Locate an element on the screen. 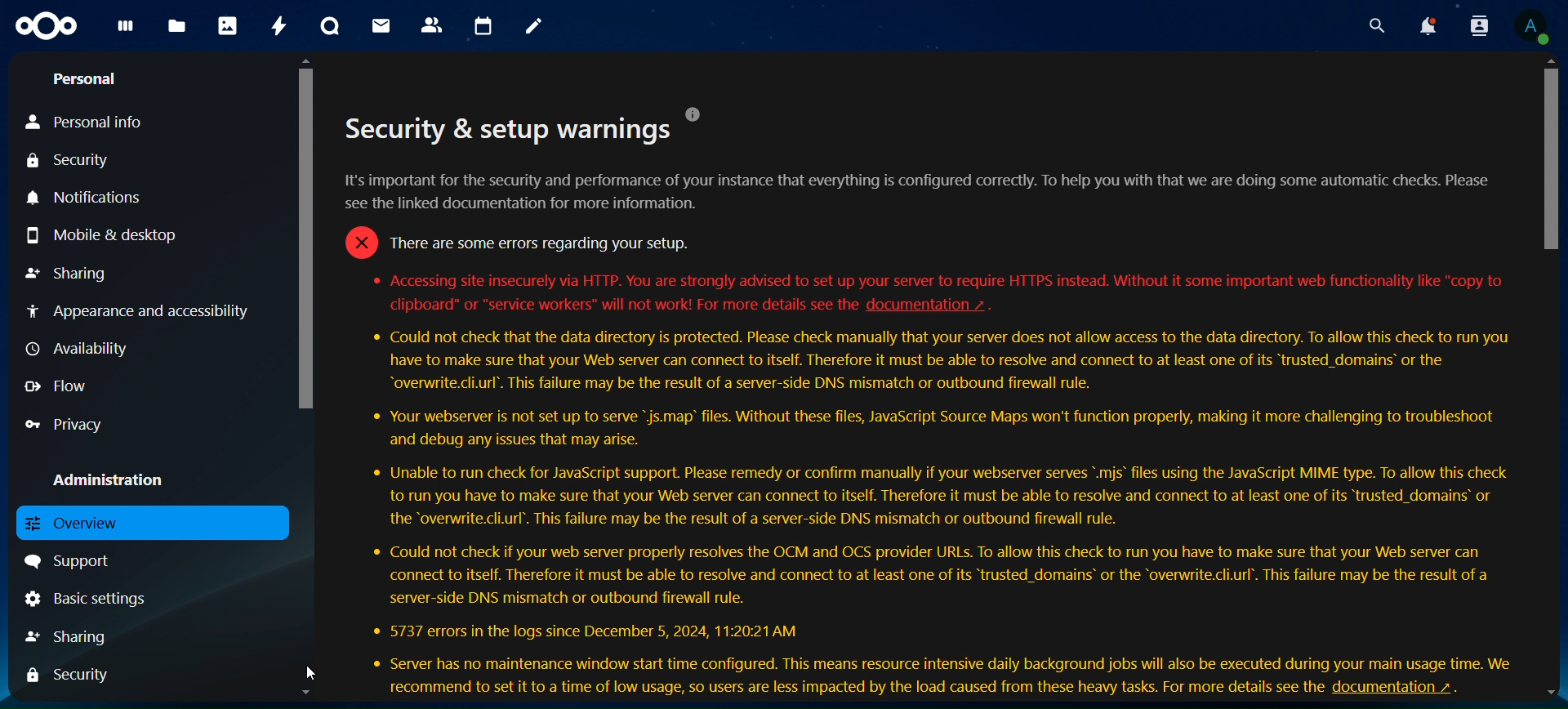 This screenshot has width=1568, height=709. cursor is located at coordinates (313, 672).